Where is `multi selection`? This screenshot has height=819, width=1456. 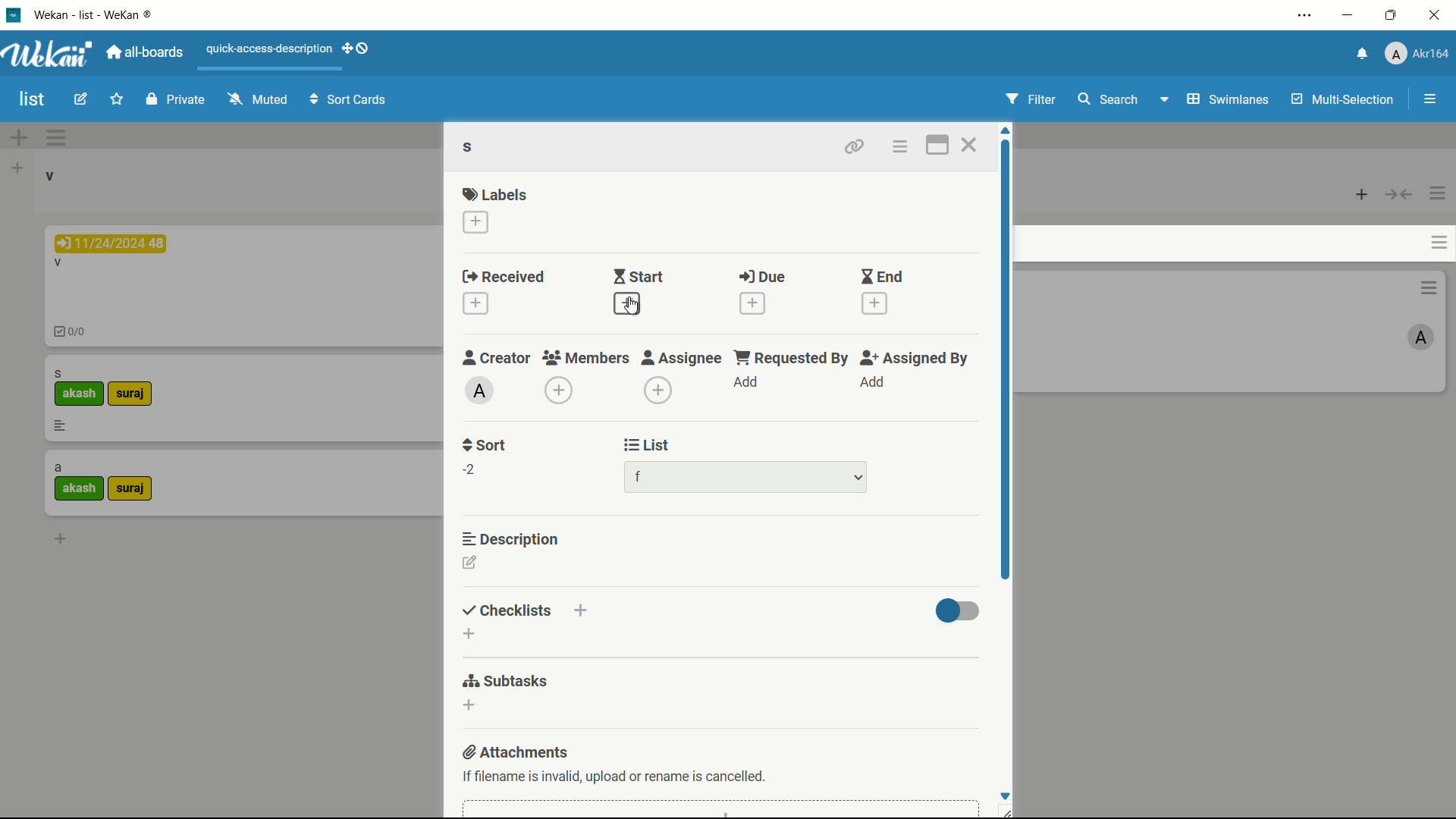
multi selection is located at coordinates (1345, 101).